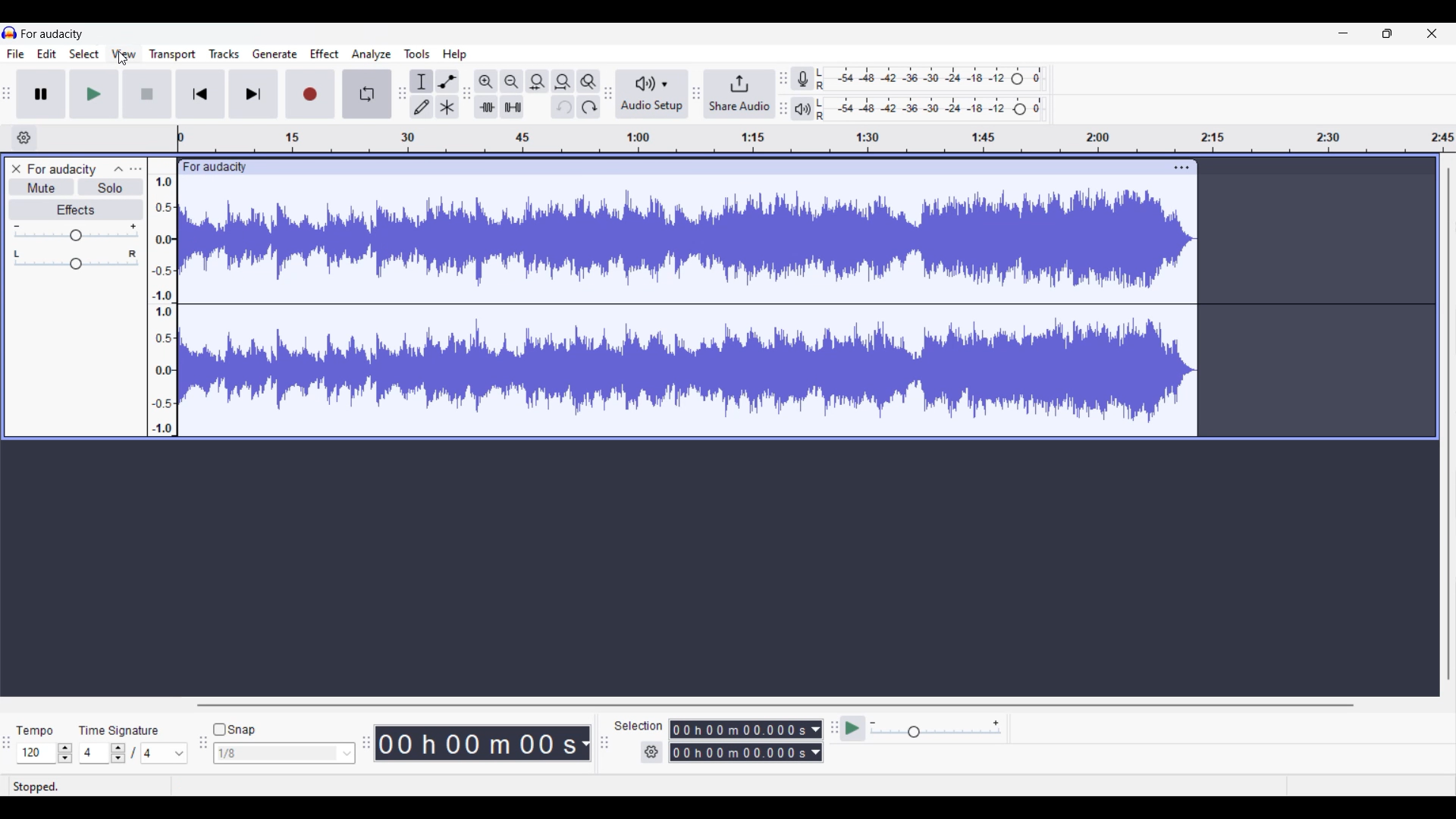  I want to click on Mute, so click(41, 187).